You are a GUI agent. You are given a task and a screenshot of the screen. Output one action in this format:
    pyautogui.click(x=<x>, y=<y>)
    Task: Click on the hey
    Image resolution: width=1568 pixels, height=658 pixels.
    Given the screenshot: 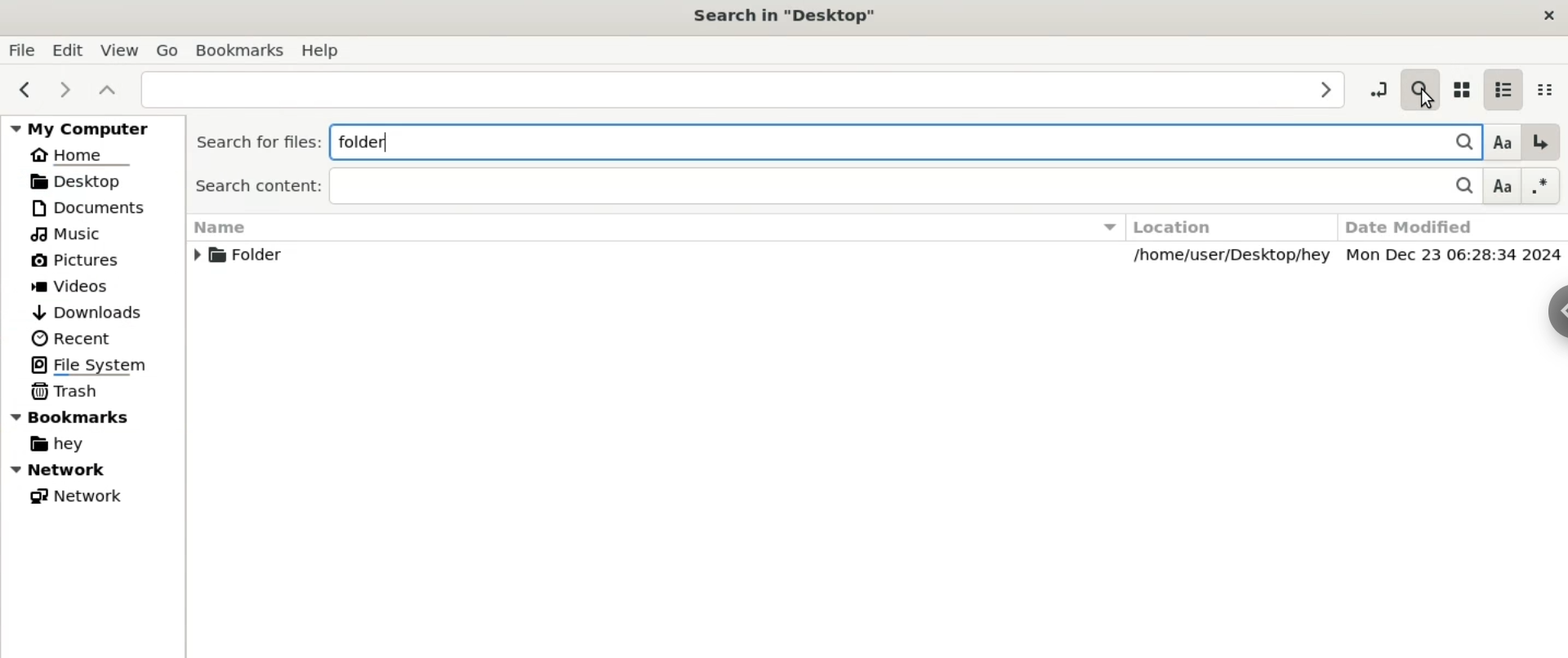 What is the action you would take?
    pyautogui.click(x=55, y=444)
    